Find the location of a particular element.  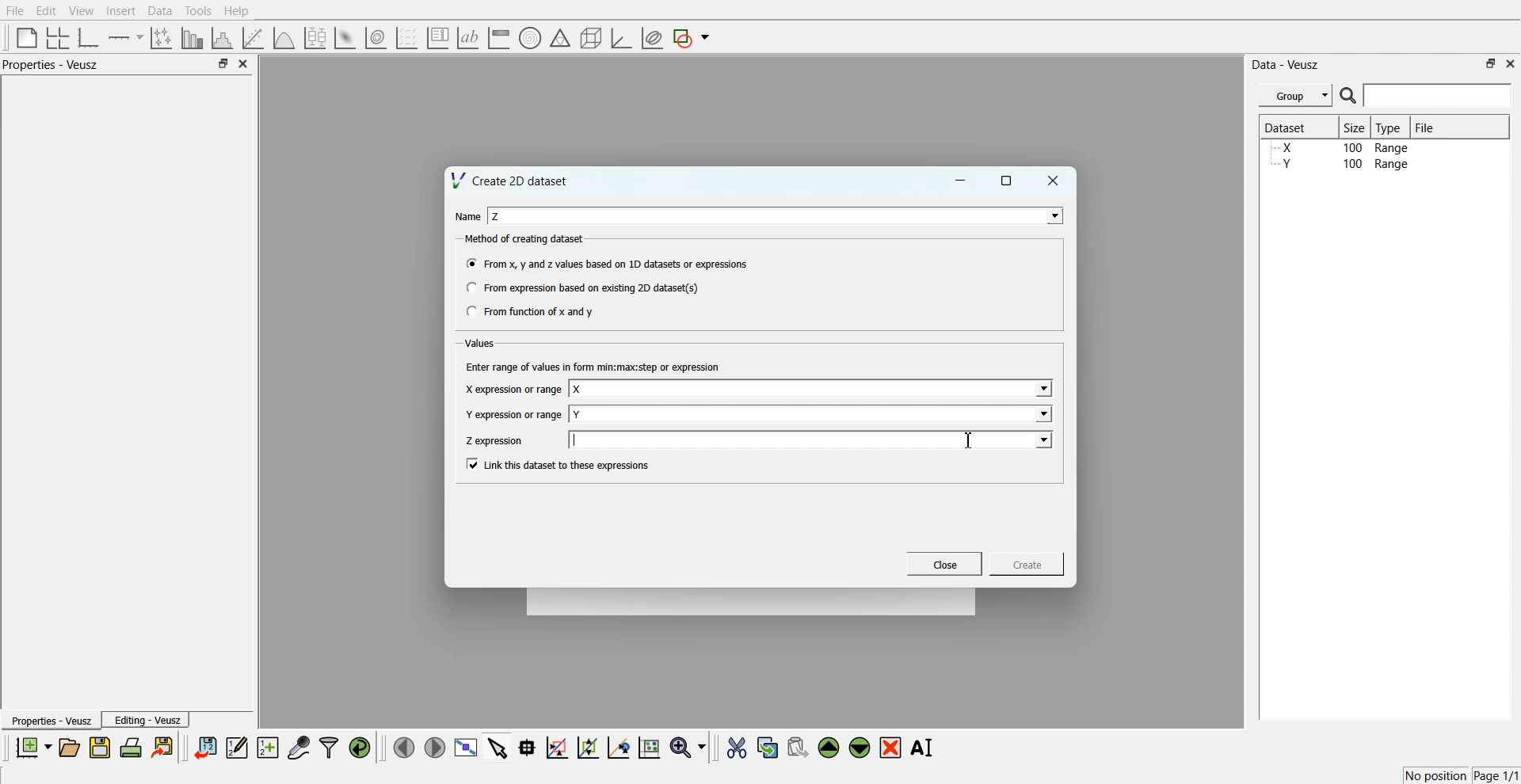

Recenter graph axes is located at coordinates (619, 747).